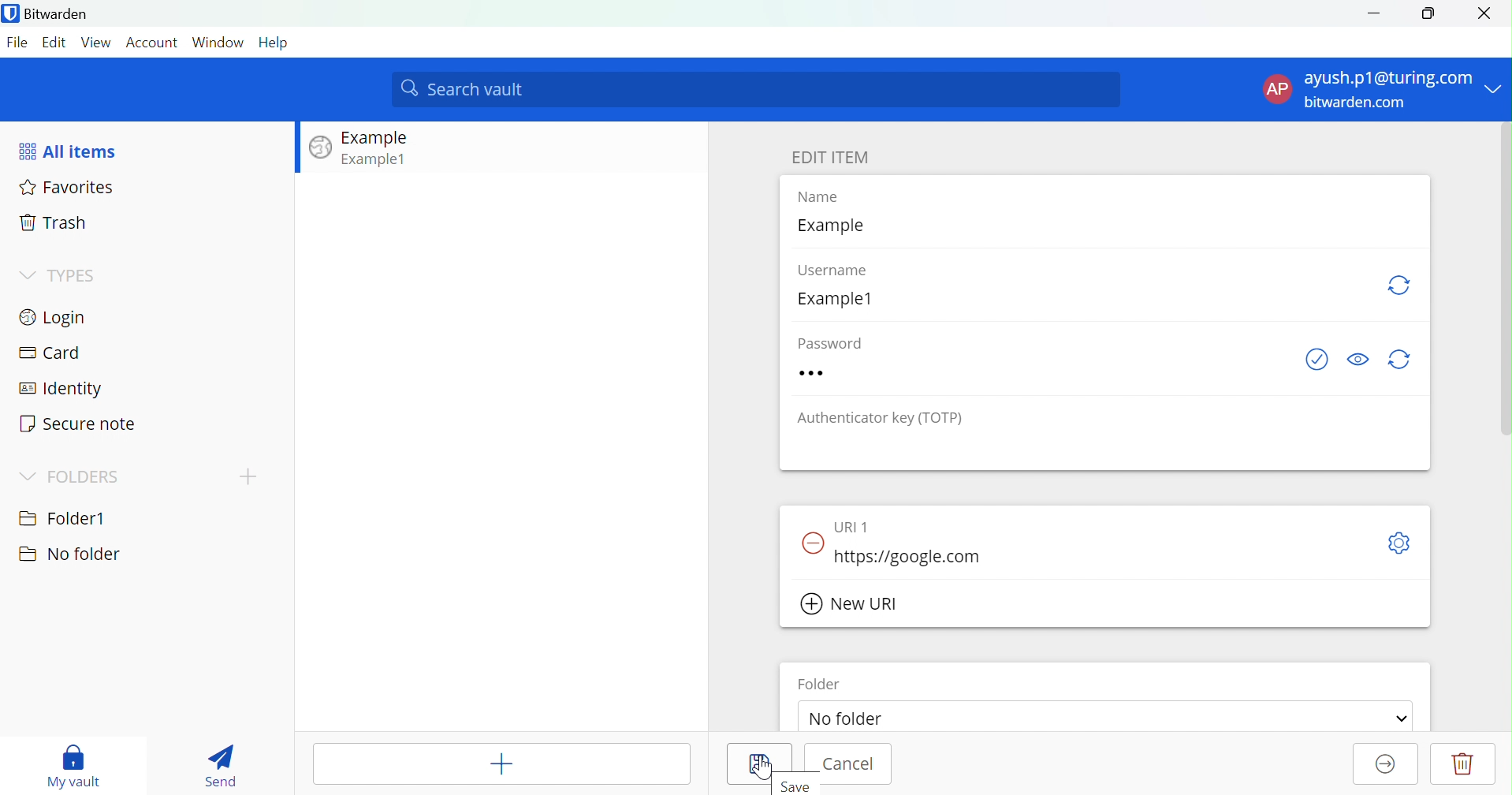  Describe the element at coordinates (836, 226) in the screenshot. I see `Example` at that location.